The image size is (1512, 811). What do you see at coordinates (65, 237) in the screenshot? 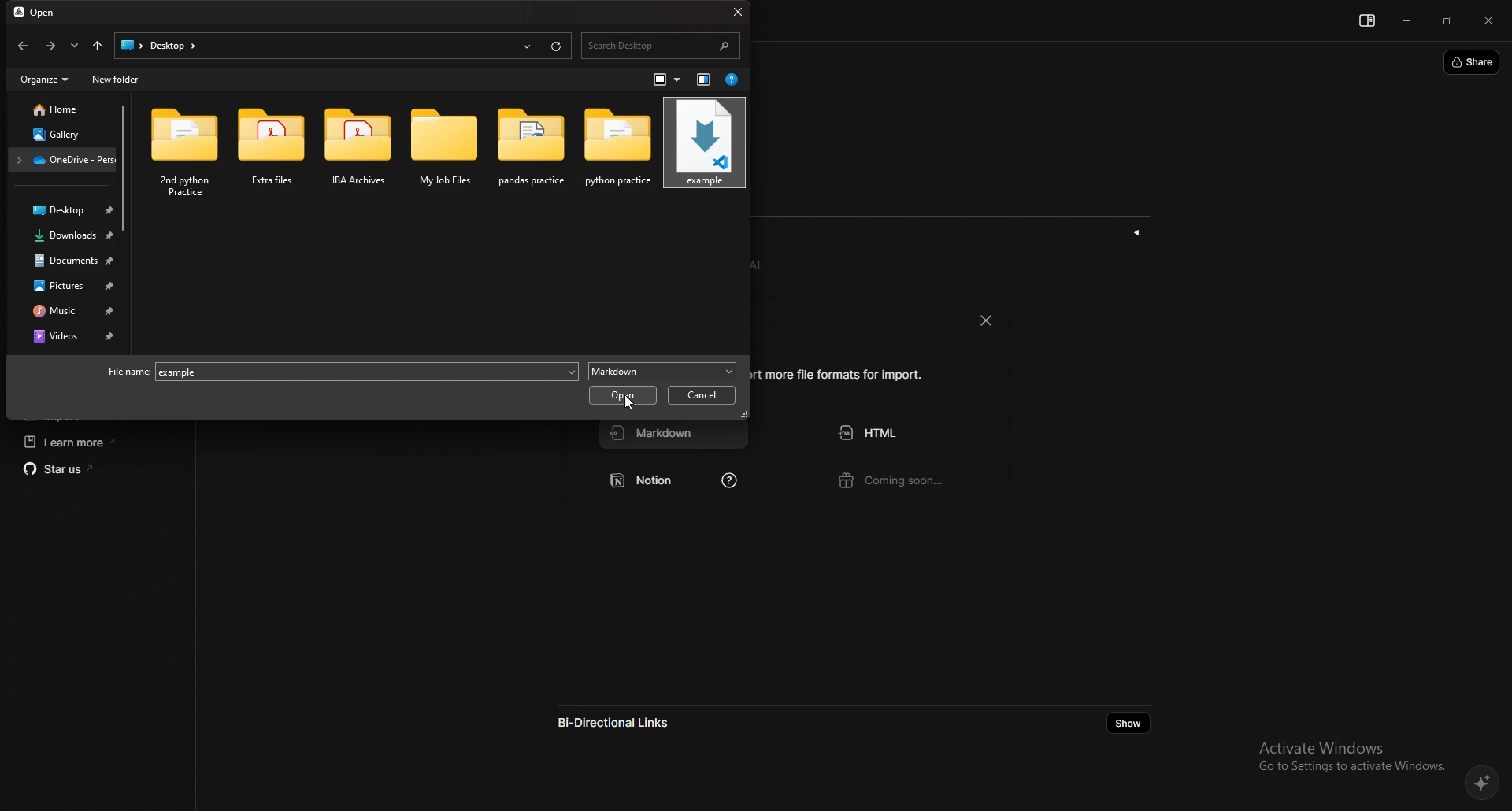
I see `downloads` at bounding box center [65, 237].